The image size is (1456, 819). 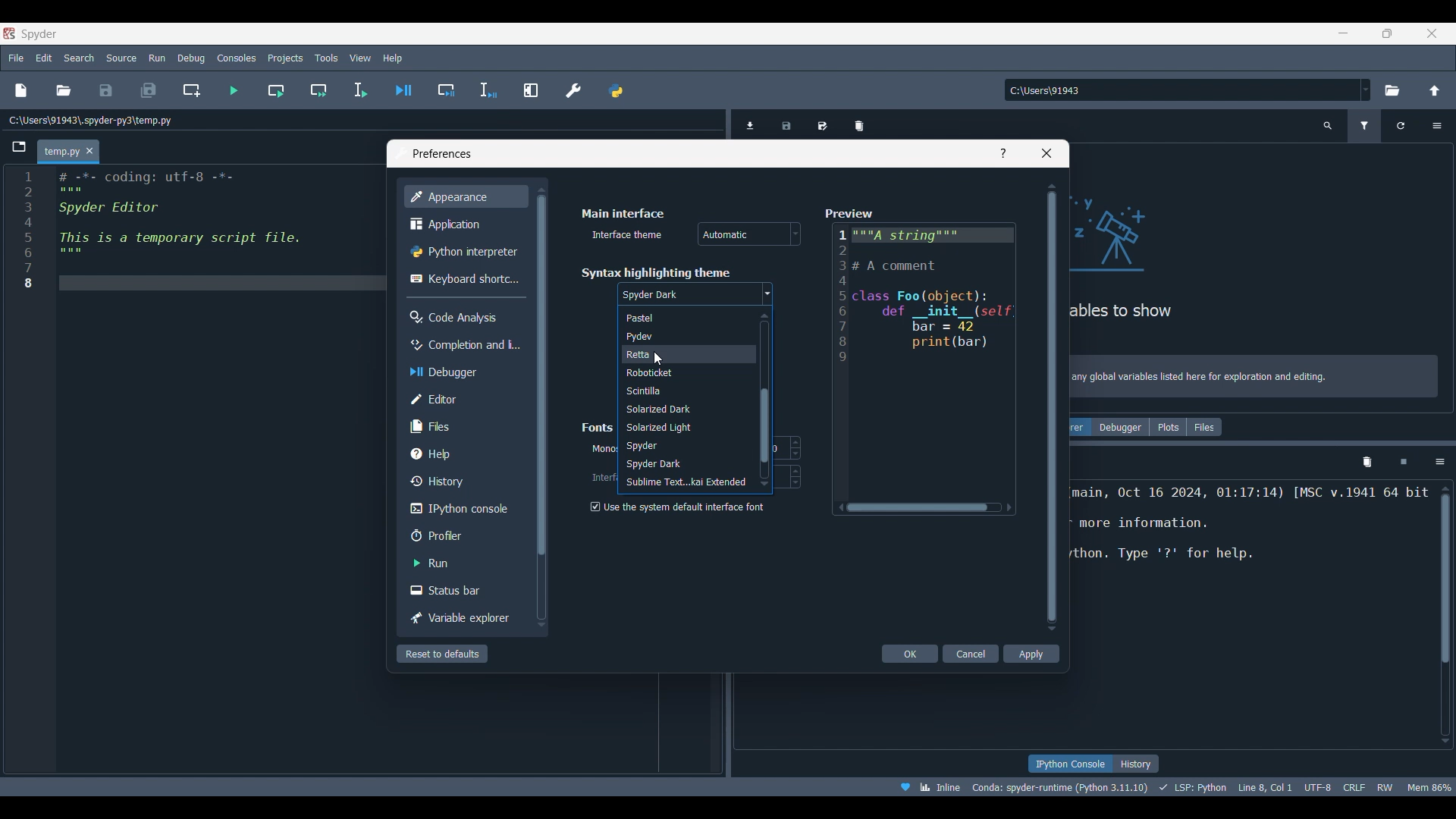 What do you see at coordinates (463, 481) in the screenshot?
I see `History` at bounding box center [463, 481].